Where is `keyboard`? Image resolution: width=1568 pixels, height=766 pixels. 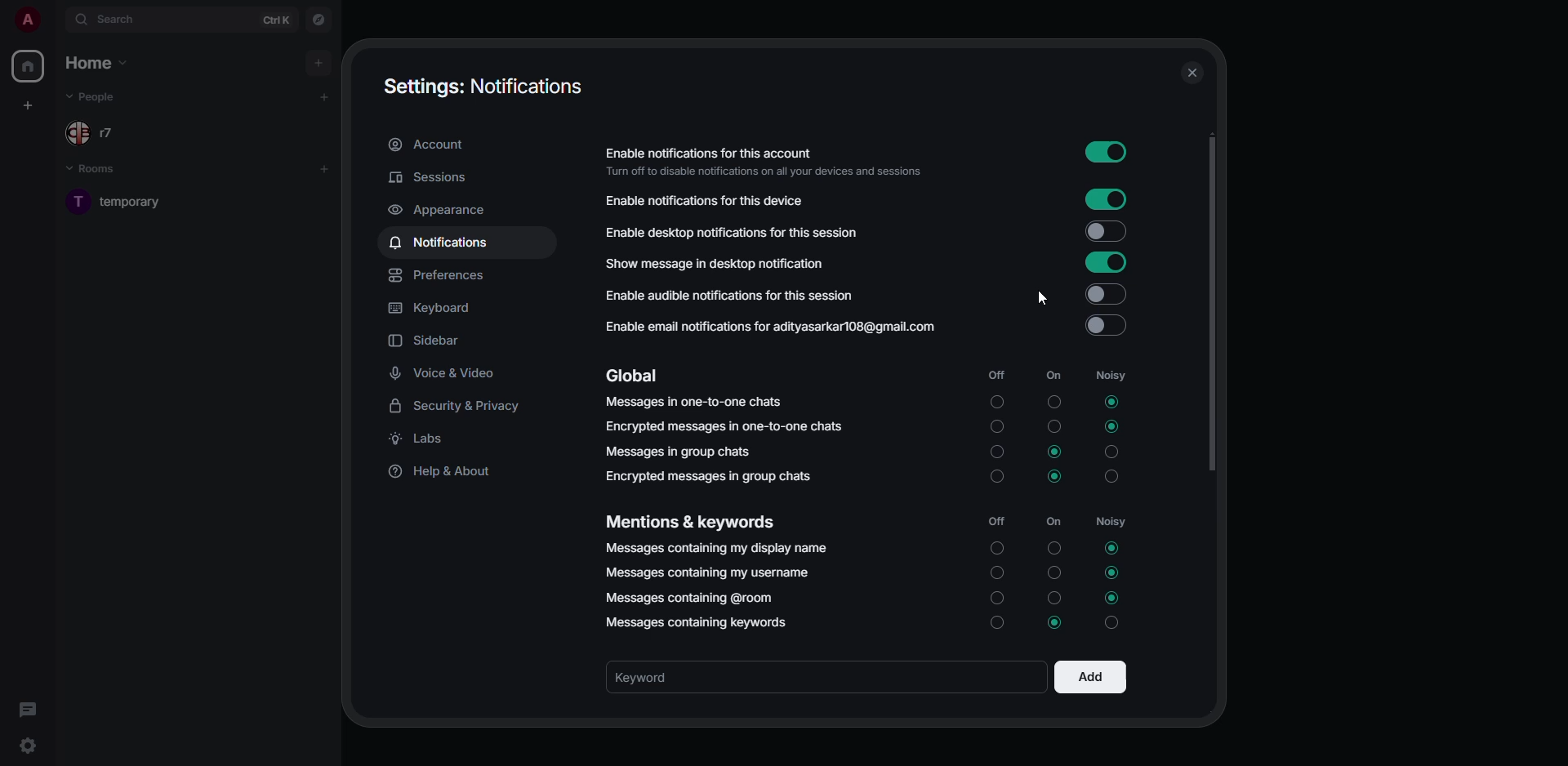
keyboard is located at coordinates (429, 306).